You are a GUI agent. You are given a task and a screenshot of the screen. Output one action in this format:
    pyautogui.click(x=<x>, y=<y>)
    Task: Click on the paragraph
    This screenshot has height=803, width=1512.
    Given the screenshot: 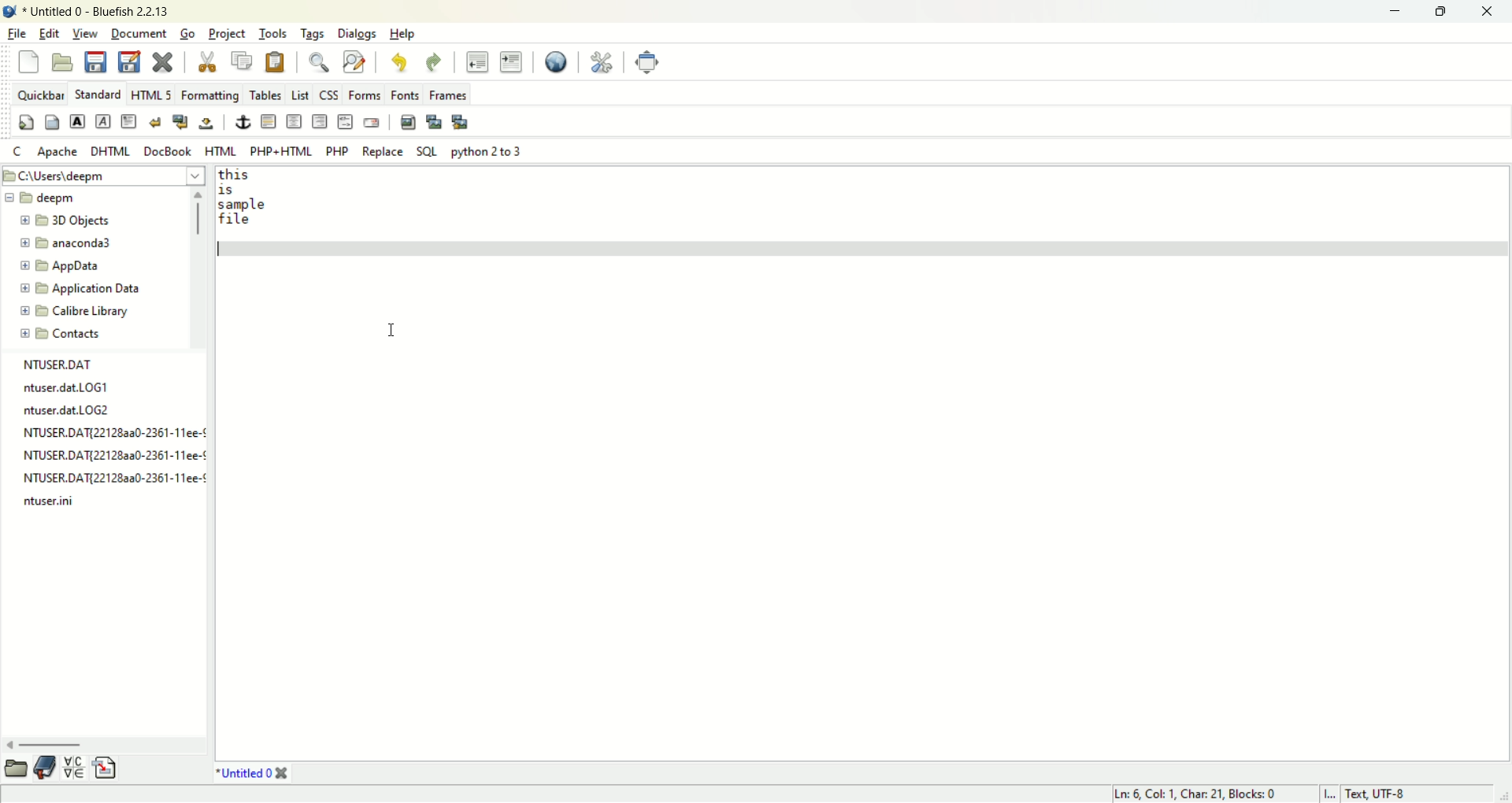 What is the action you would take?
    pyautogui.click(x=128, y=122)
    